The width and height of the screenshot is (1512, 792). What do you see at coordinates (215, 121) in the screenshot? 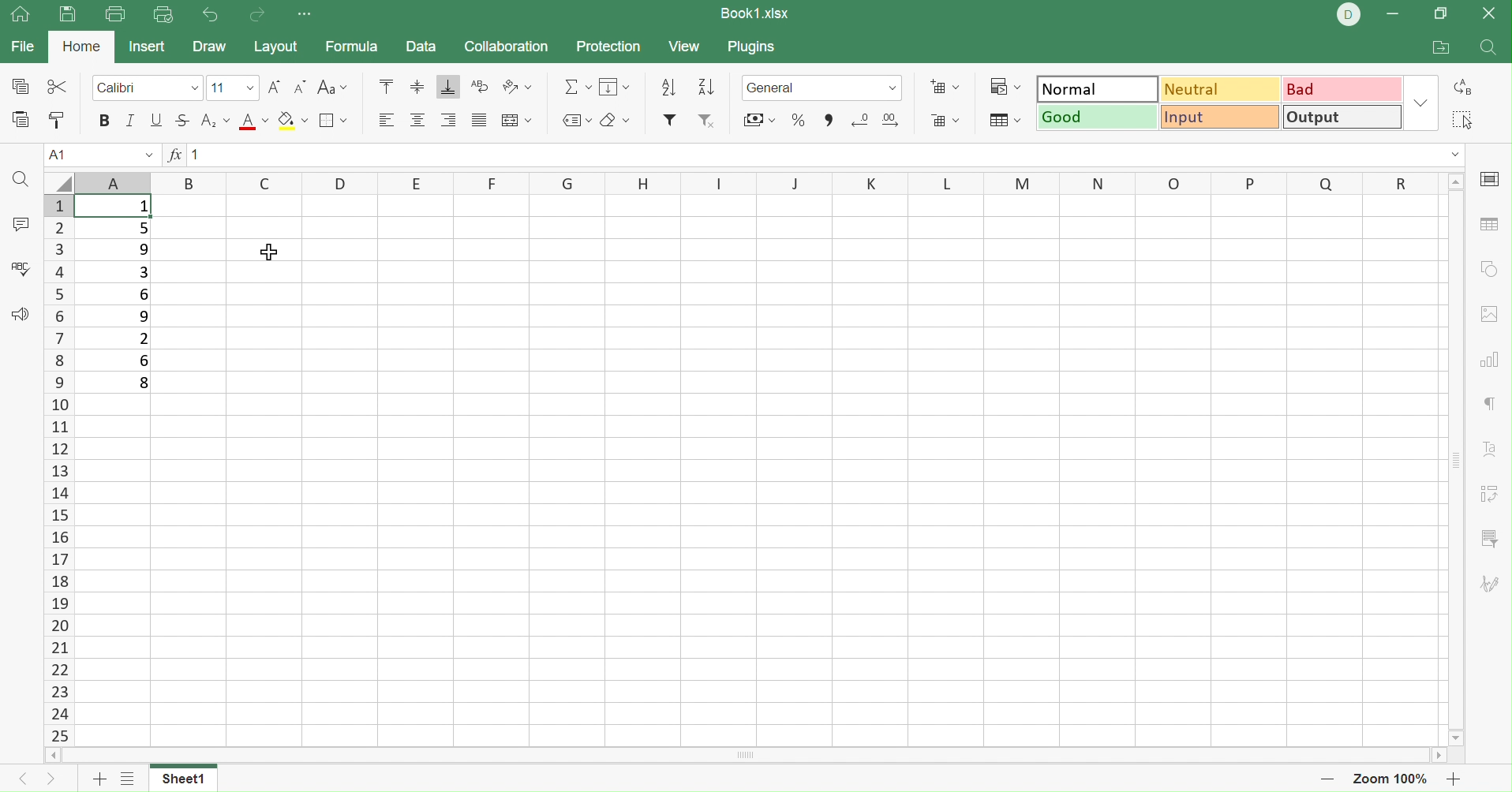
I see `` at bounding box center [215, 121].